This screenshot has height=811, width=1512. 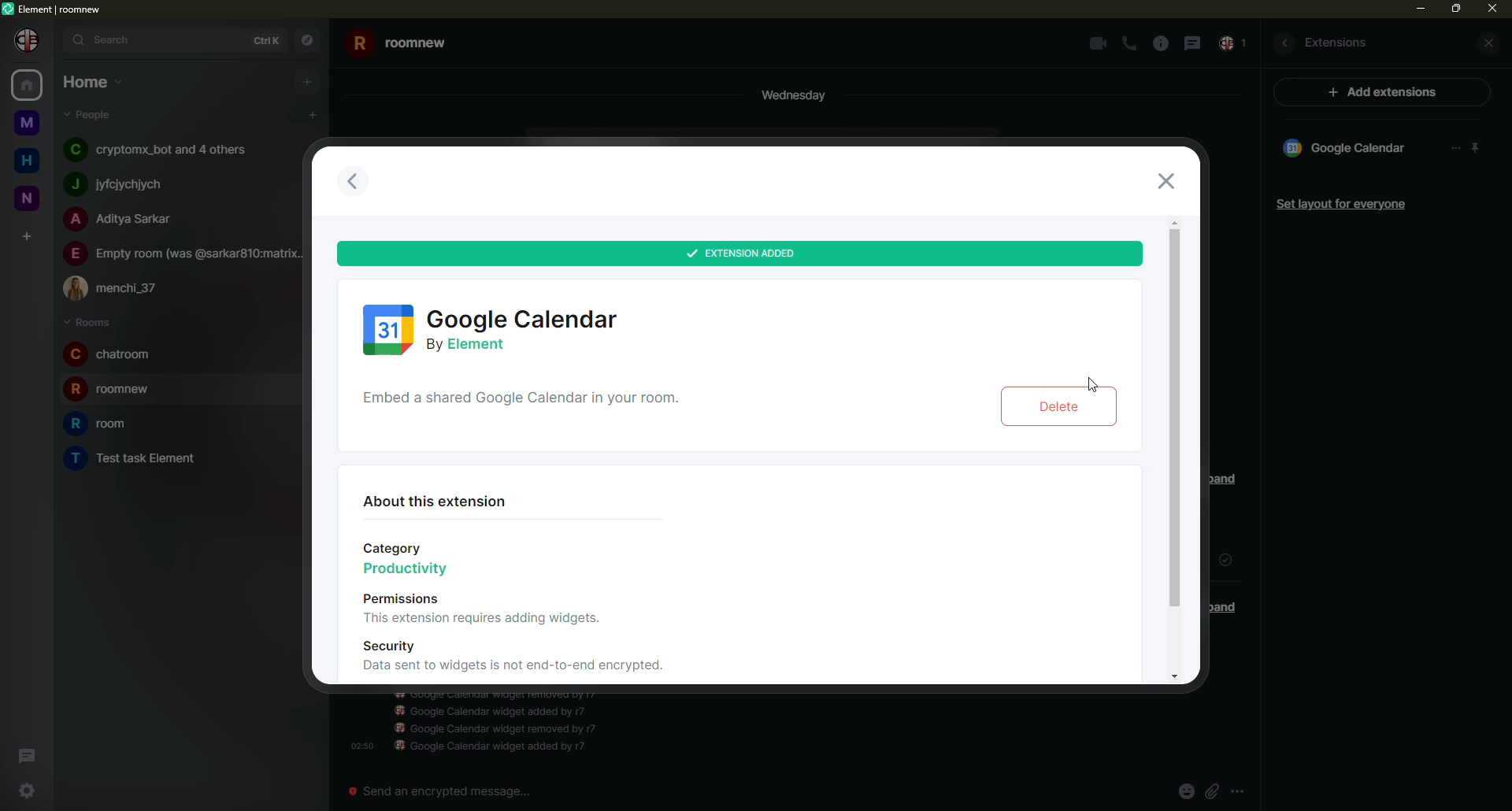 I want to click on threads, so click(x=25, y=753).